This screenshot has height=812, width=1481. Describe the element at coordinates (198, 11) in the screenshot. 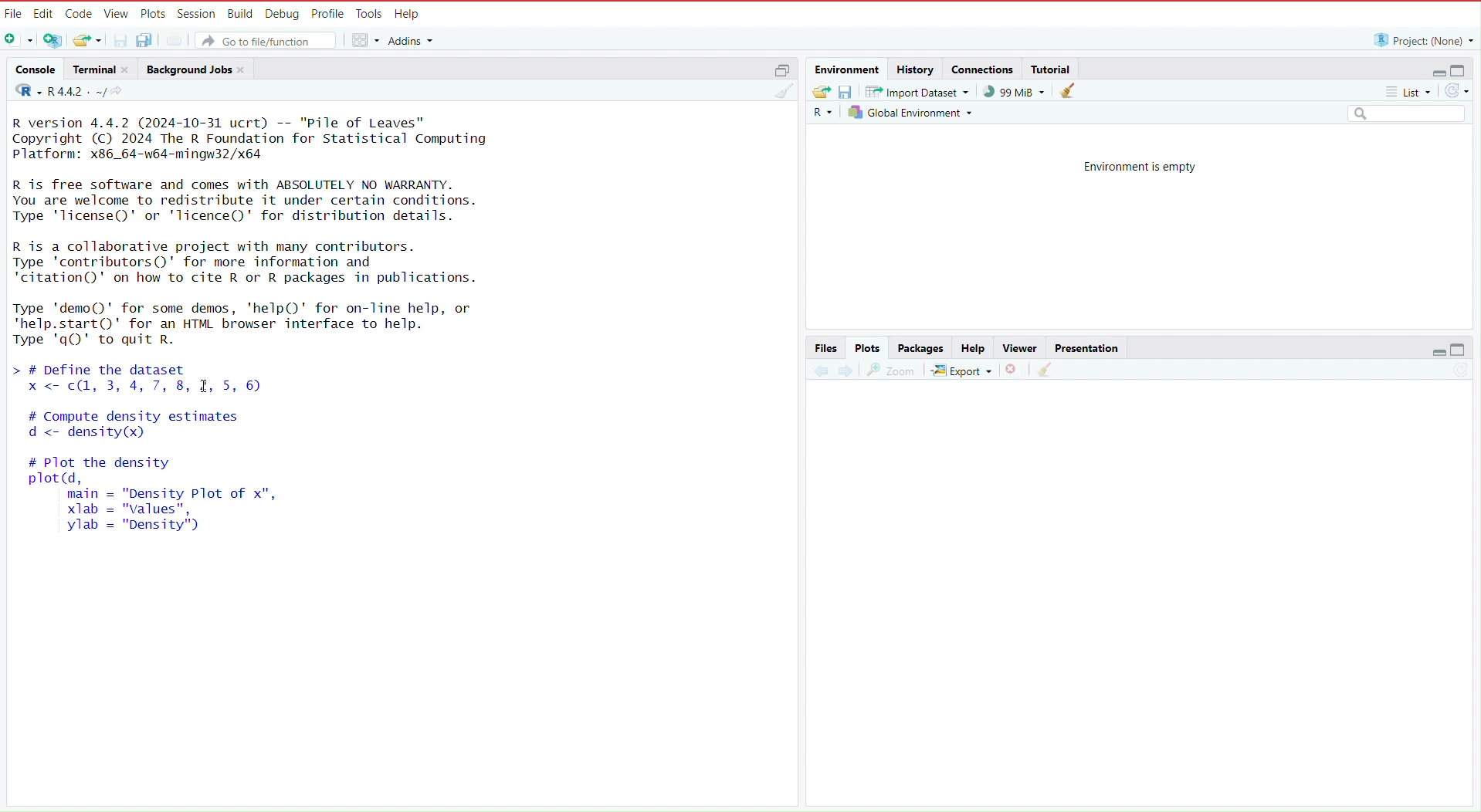

I see `session` at that location.